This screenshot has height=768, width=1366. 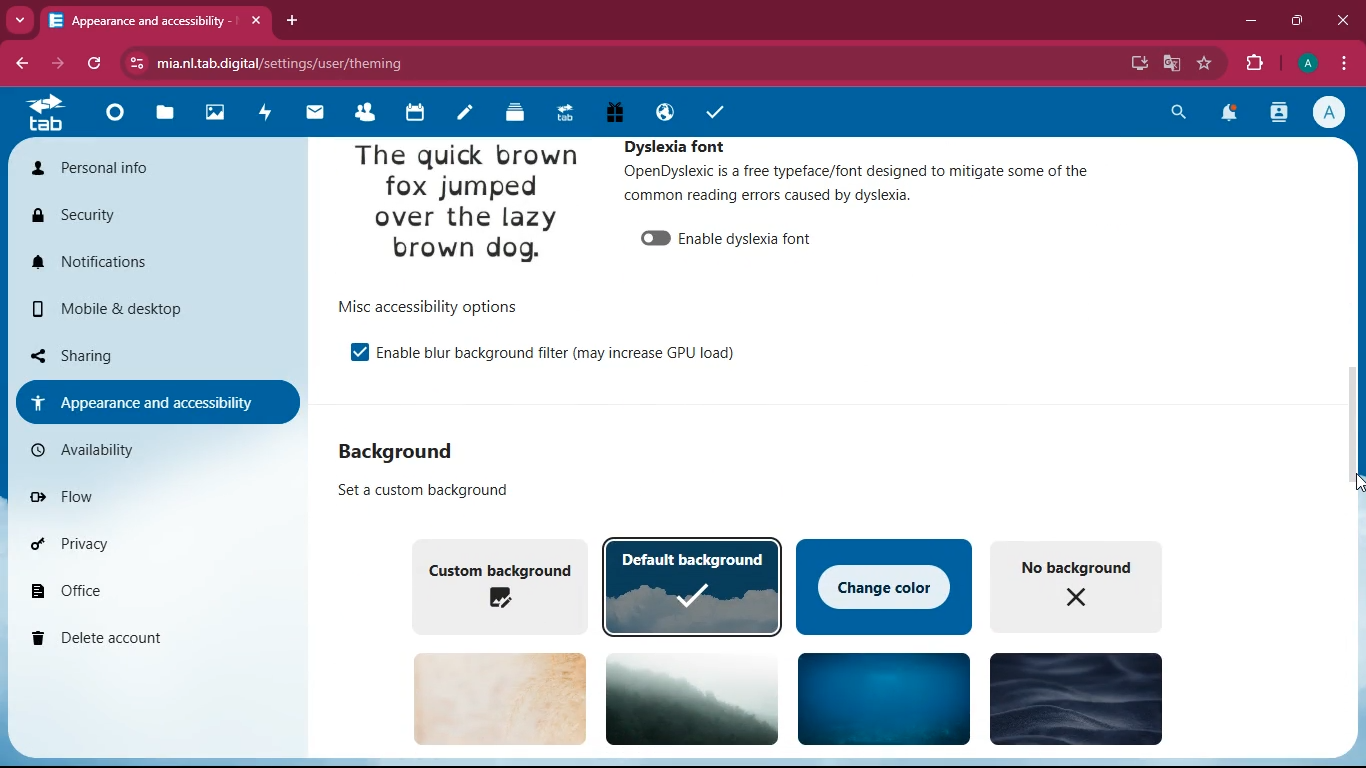 I want to click on notifications, so click(x=144, y=262).